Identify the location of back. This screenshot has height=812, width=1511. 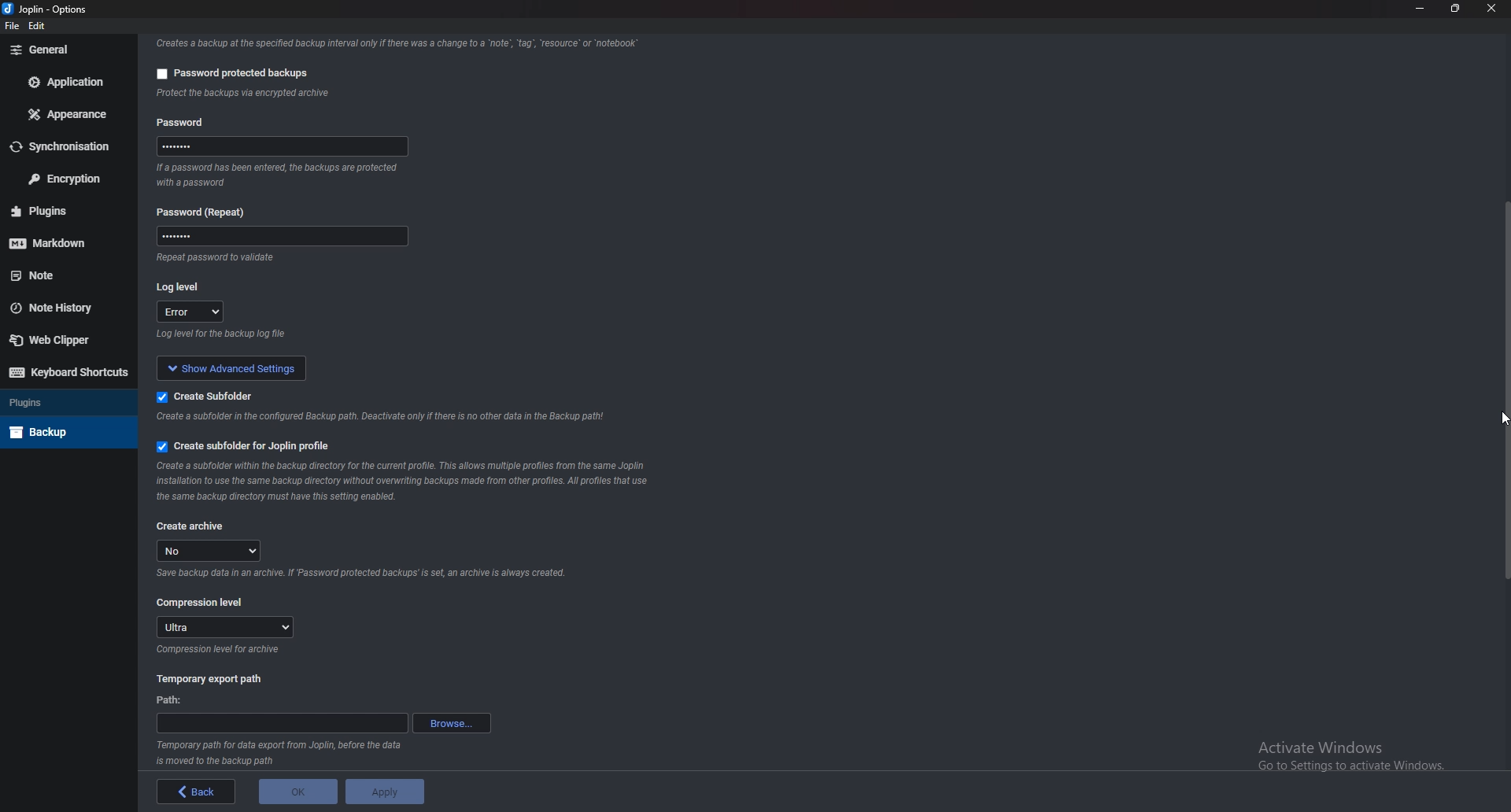
(192, 792).